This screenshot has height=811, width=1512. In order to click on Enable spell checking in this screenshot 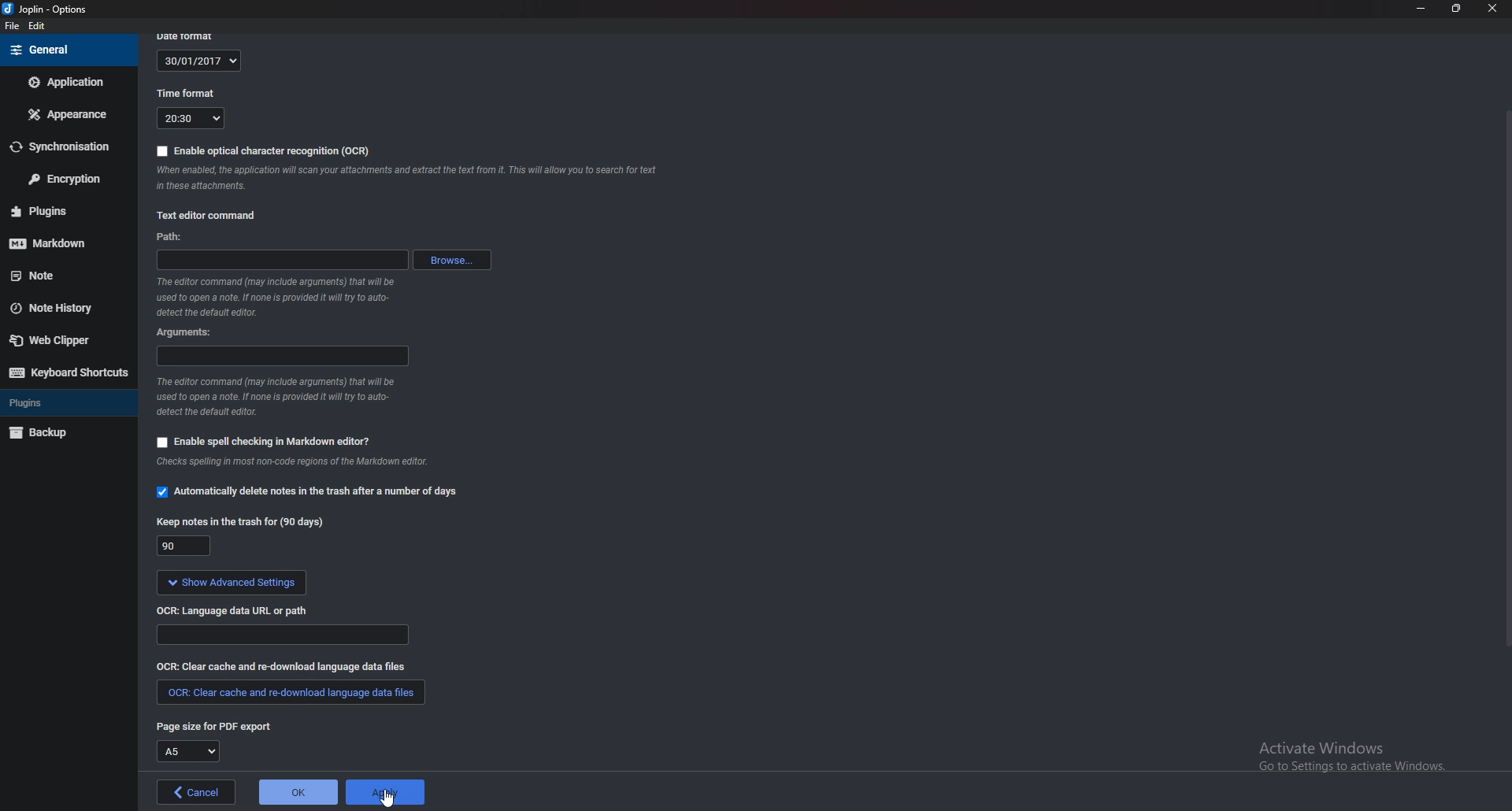, I will do `click(264, 442)`.